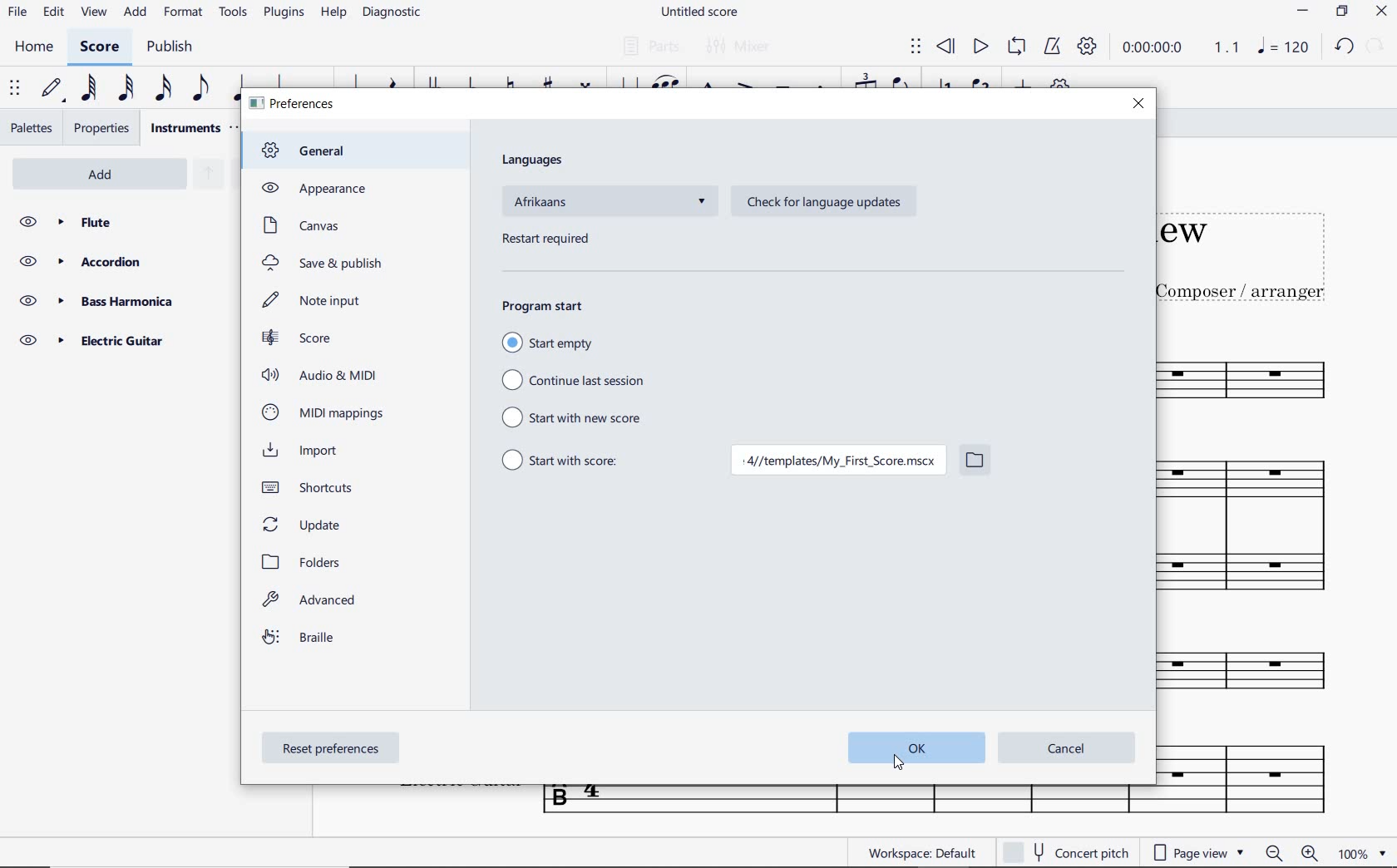  I want to click on loop playback, so click(1019, 47).